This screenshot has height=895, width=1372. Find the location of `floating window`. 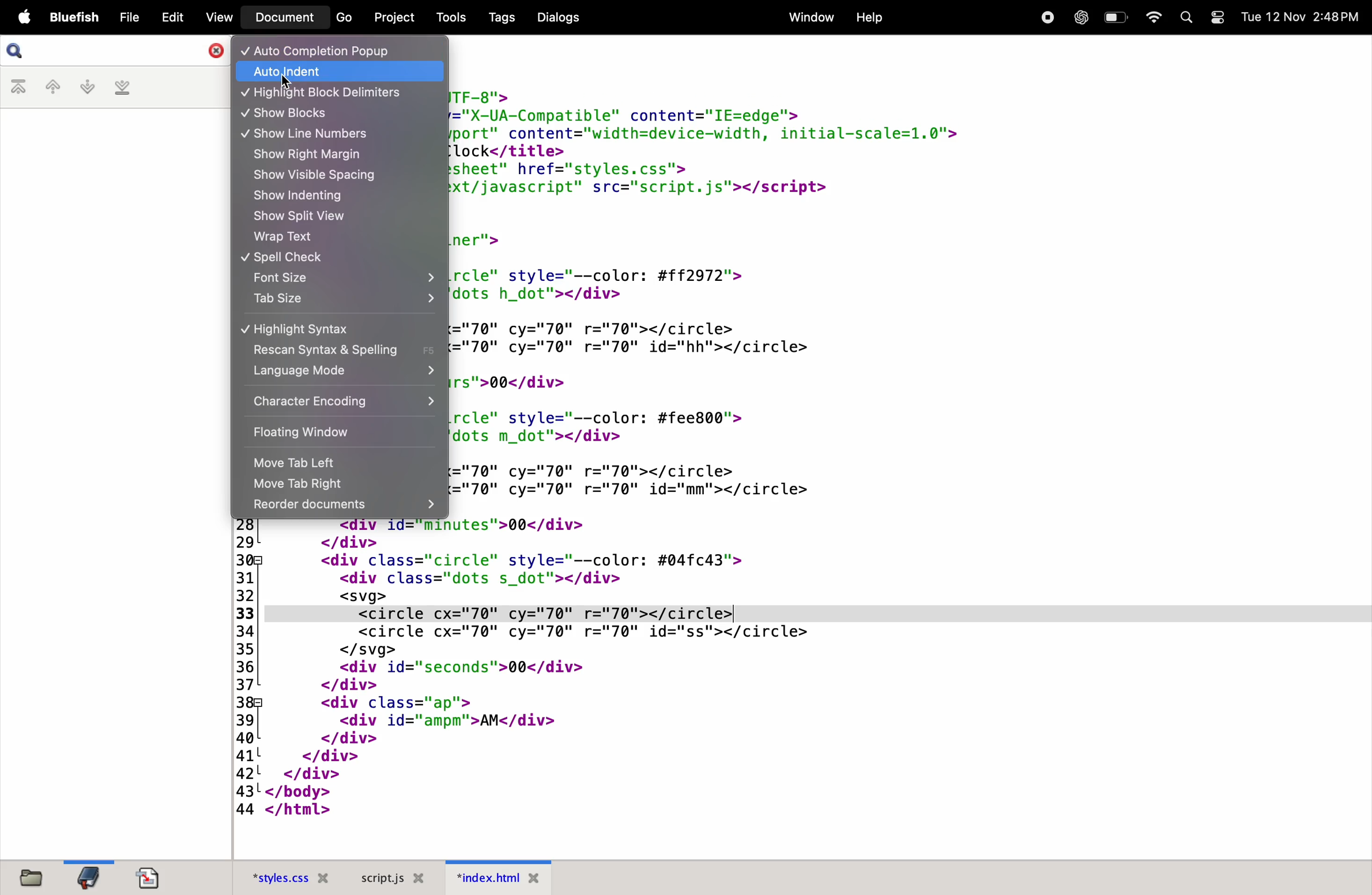

floating window is located at coordinates (340, 434).